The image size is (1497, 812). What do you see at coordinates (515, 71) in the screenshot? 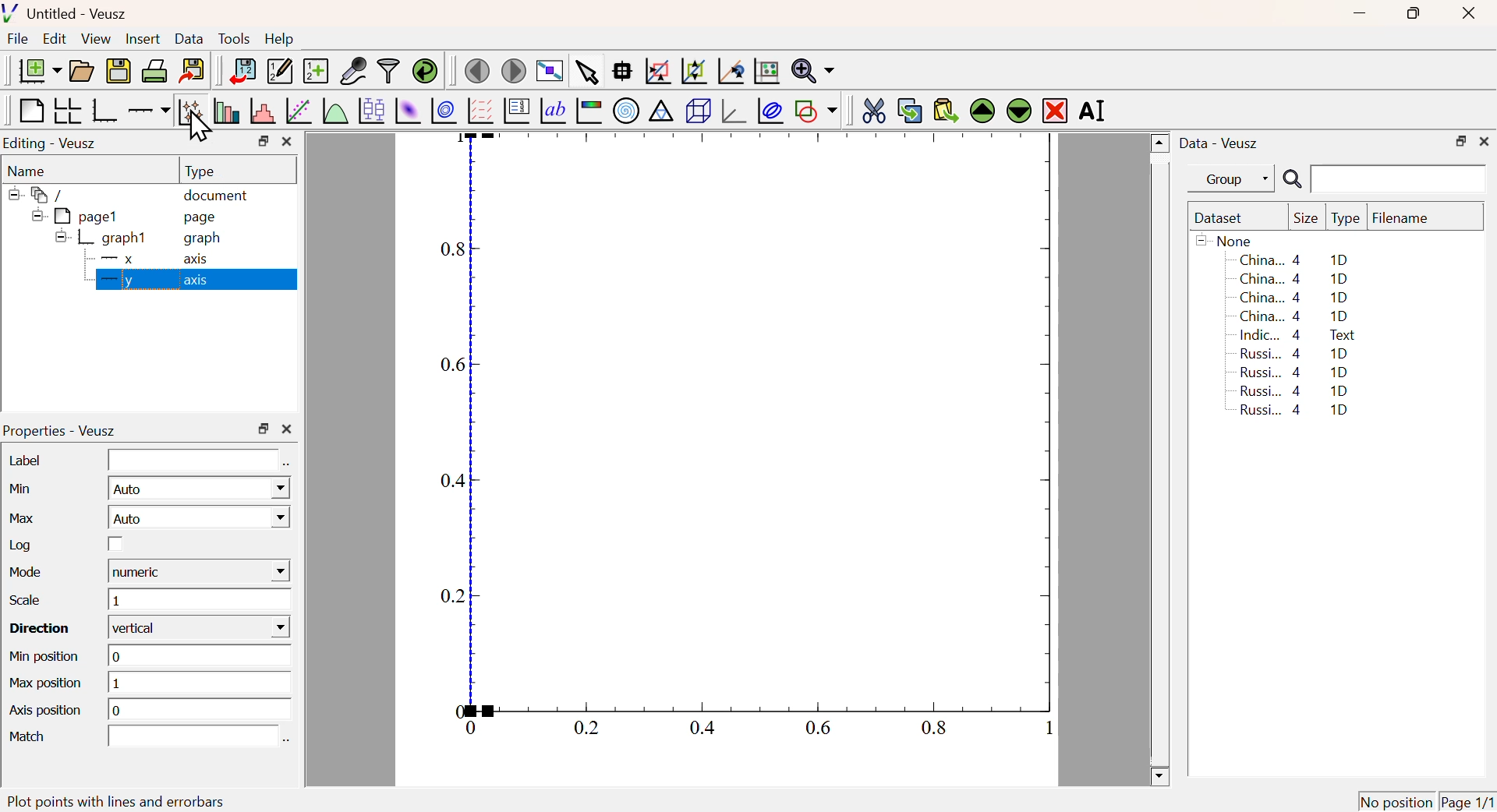
I see `Move to next page` at bounding box center [515, 71].